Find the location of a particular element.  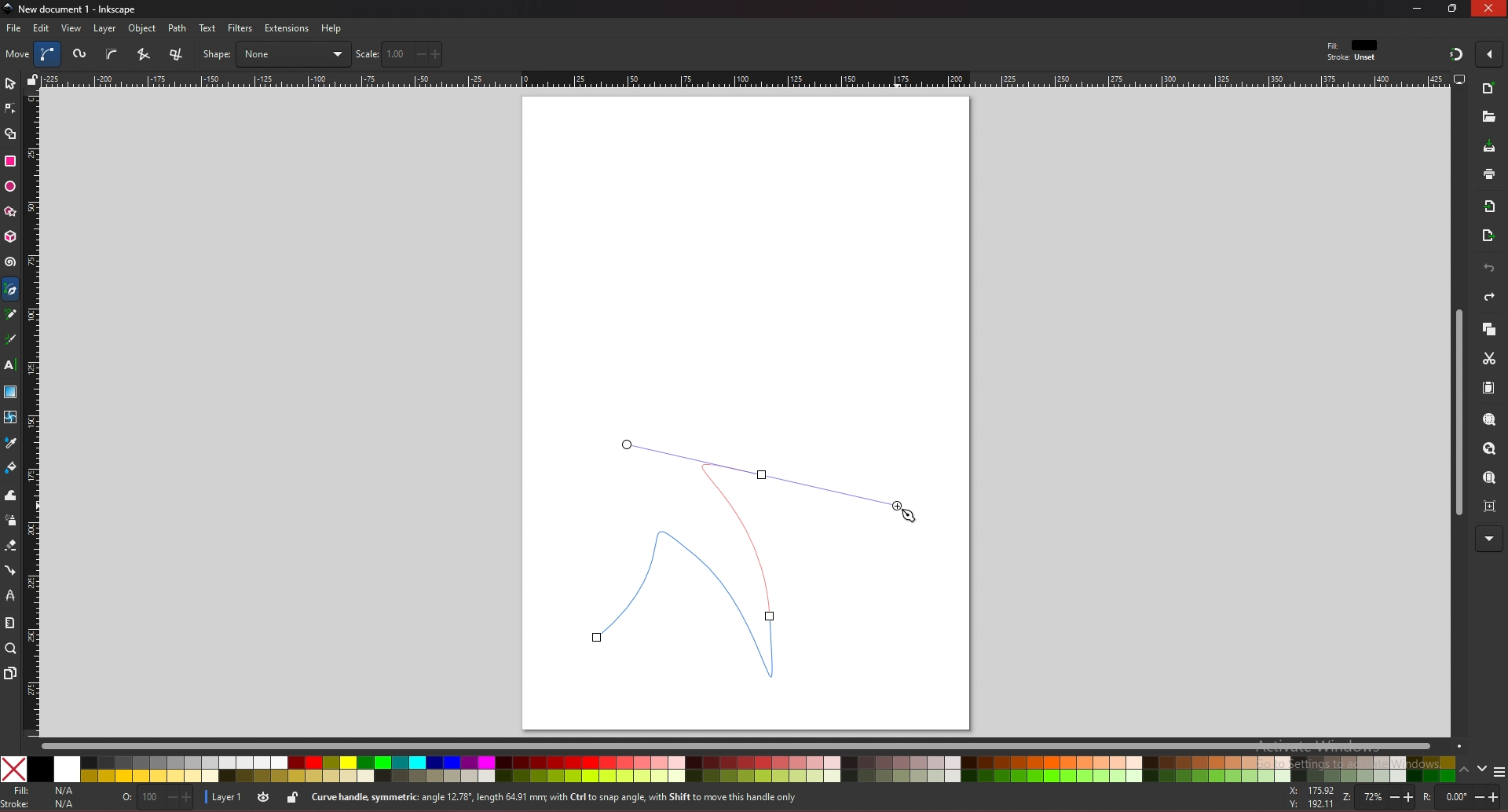

text is located at coordinates (207, 28).